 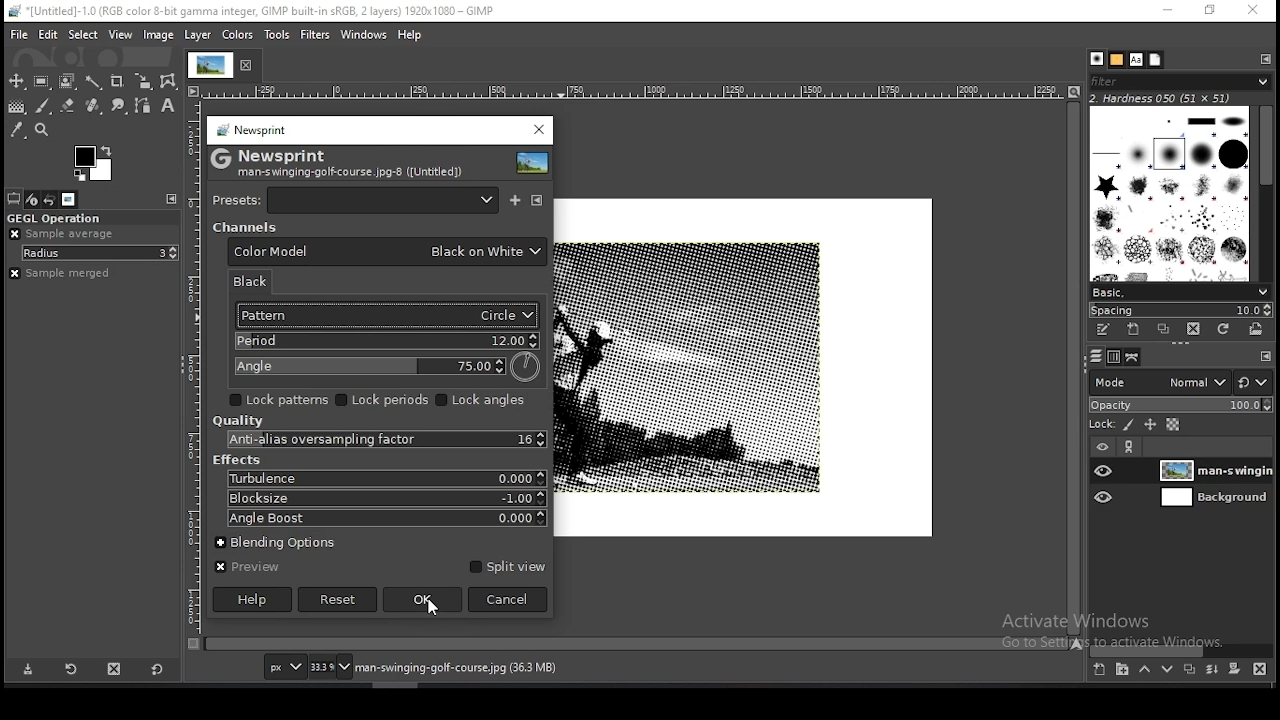 What do you see at coordinates (48, 199) in the screenshot?
I see `undo history` at bounding box center [48, 199].